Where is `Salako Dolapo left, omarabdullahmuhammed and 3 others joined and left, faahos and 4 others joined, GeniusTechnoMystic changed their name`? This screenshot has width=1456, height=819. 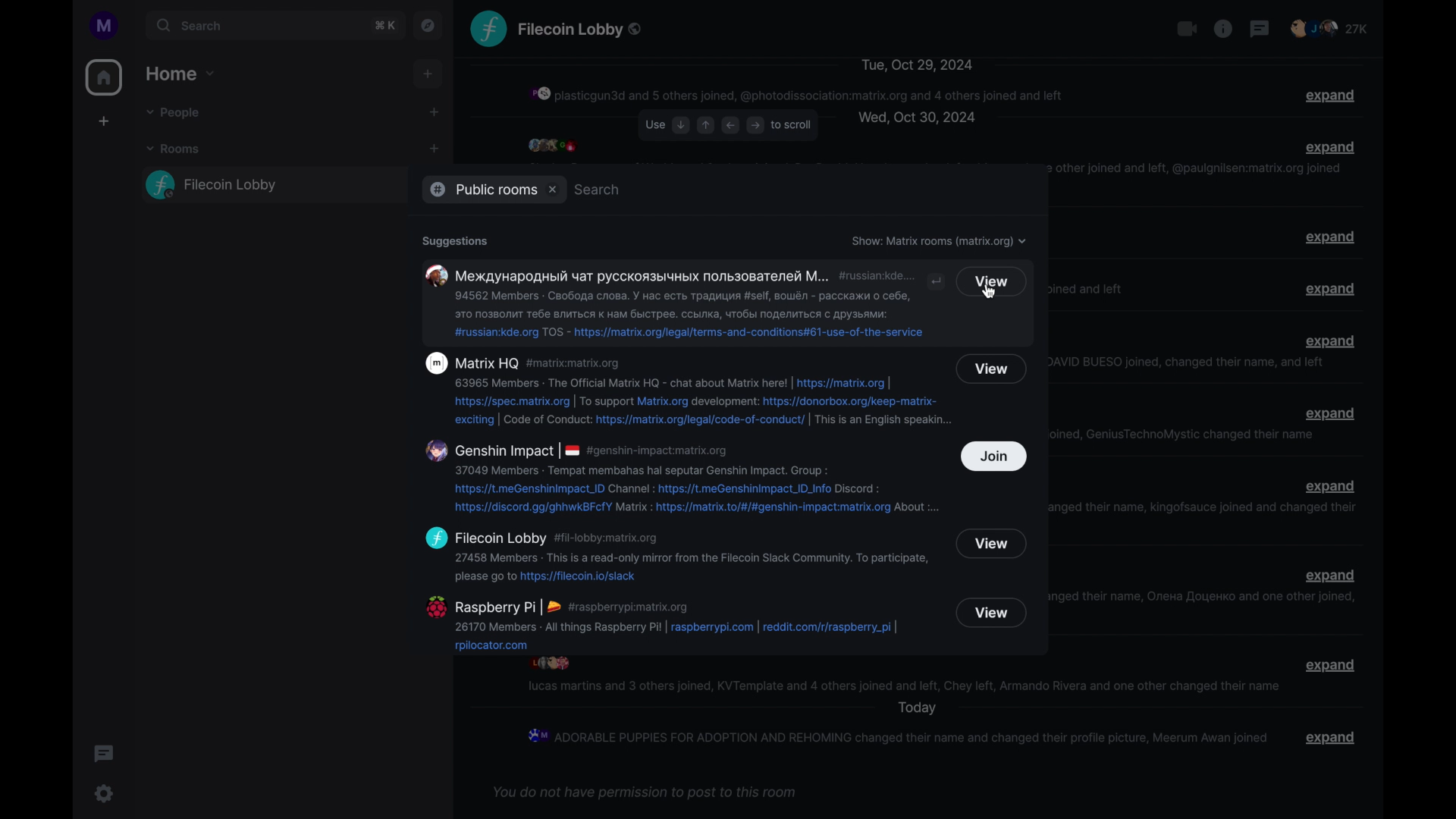 Salako Dolapo left, omarabdullahmuhammed and 3 others joined and left, faahos and 4 others joined, GeniusTechnoMystic changed their name is located at coordinates (1188, 435).